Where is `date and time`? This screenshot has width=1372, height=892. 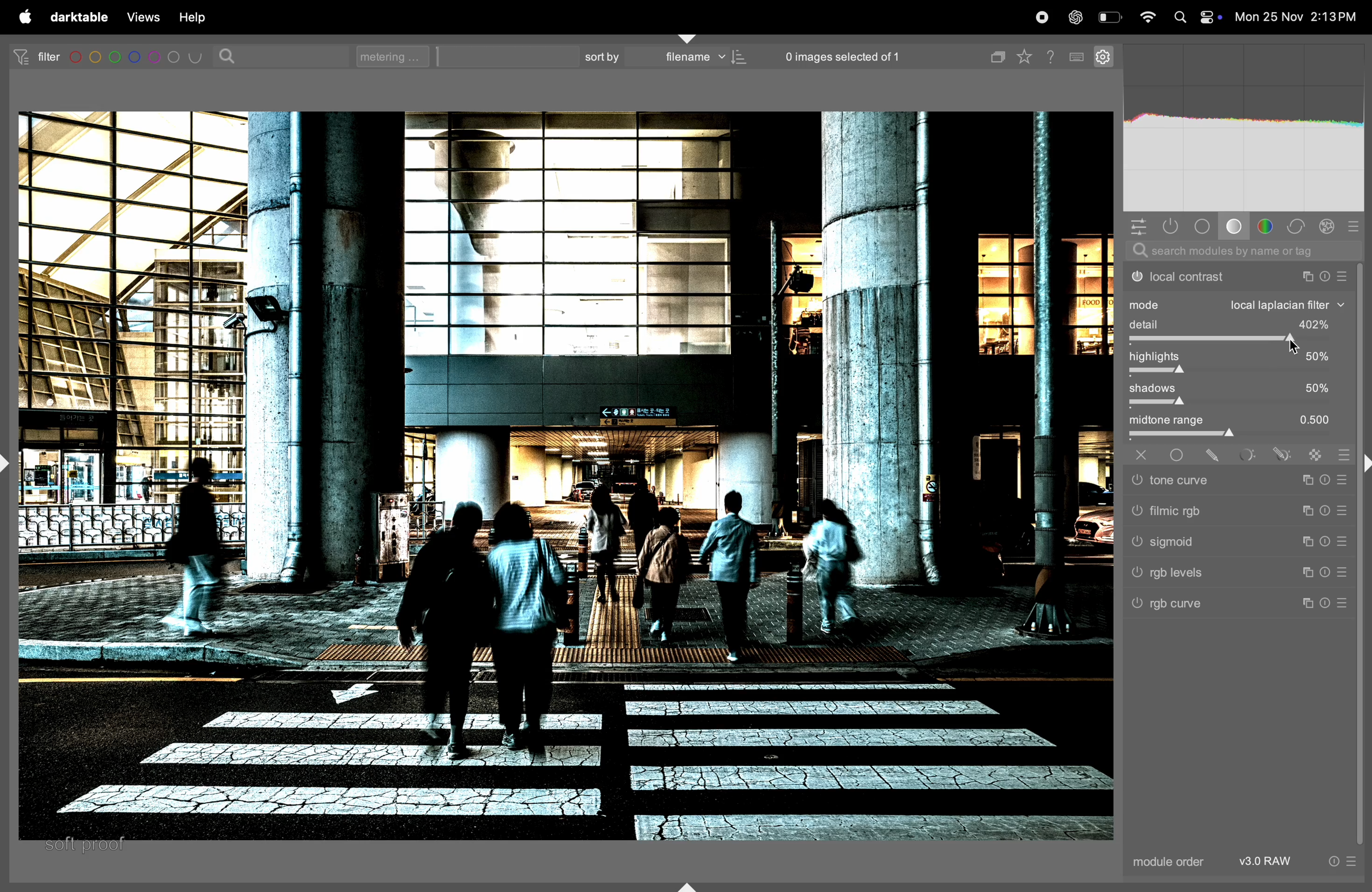
date and time is located at coordinates (1298, 17).